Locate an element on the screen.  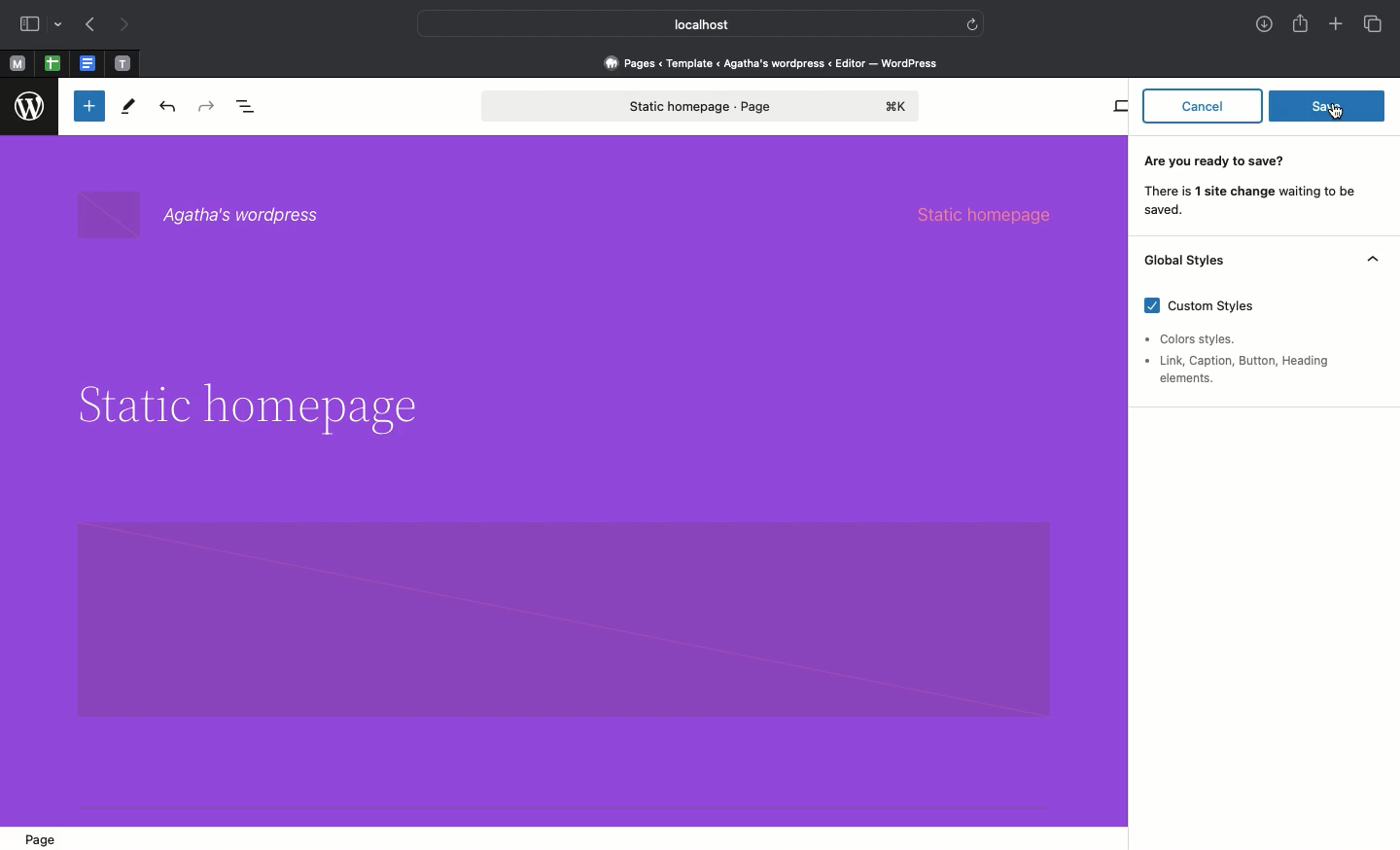
Global styles is located at coordinates (1260, 263).